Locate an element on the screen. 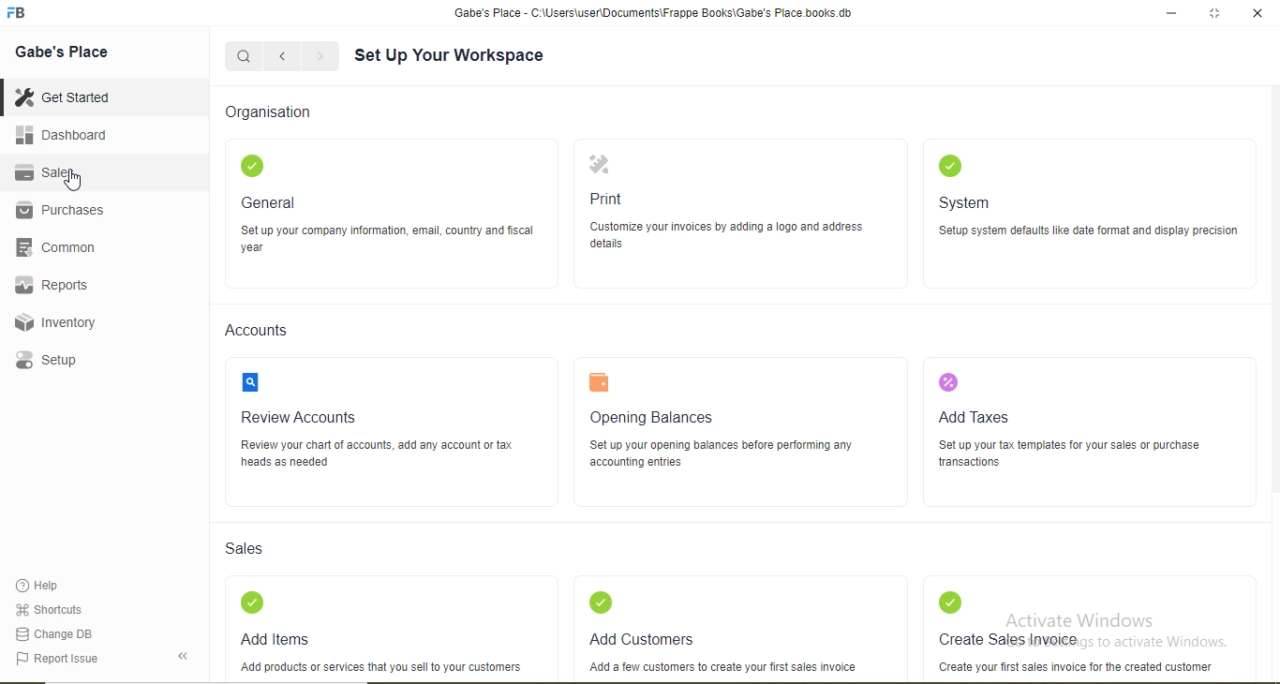  Purchases is located at coordinates (68, 210).